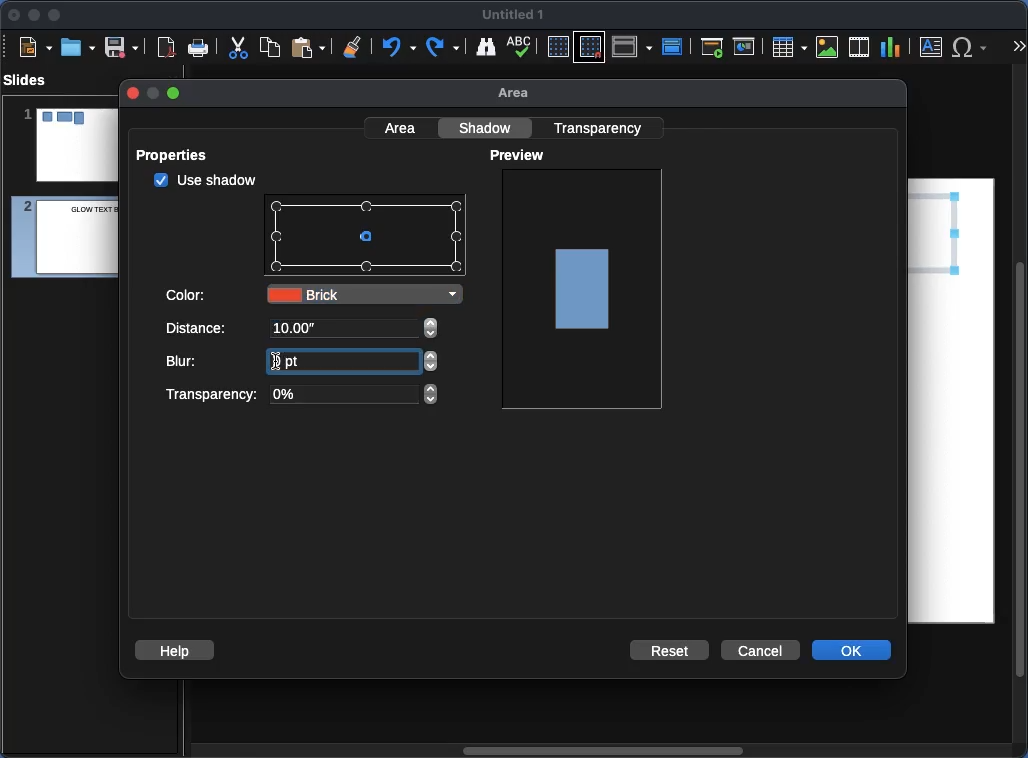 This screenshot has height=758, width=1028. Describe the element at coordinates (188, 293) in the screenshot. I see `Color` at that location.